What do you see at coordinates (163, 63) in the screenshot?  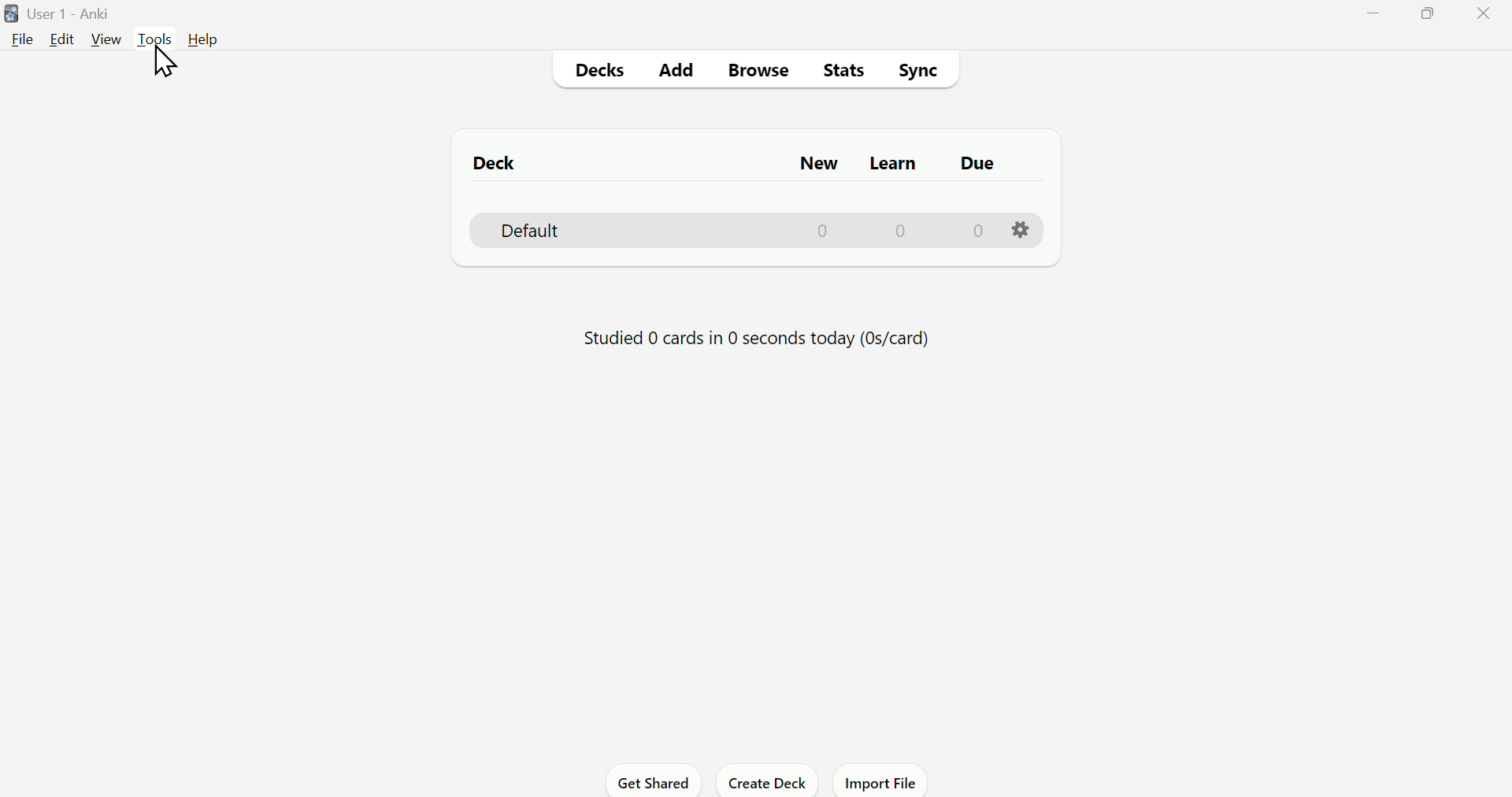 I see `Cursor` at bounding box center [163, 63].